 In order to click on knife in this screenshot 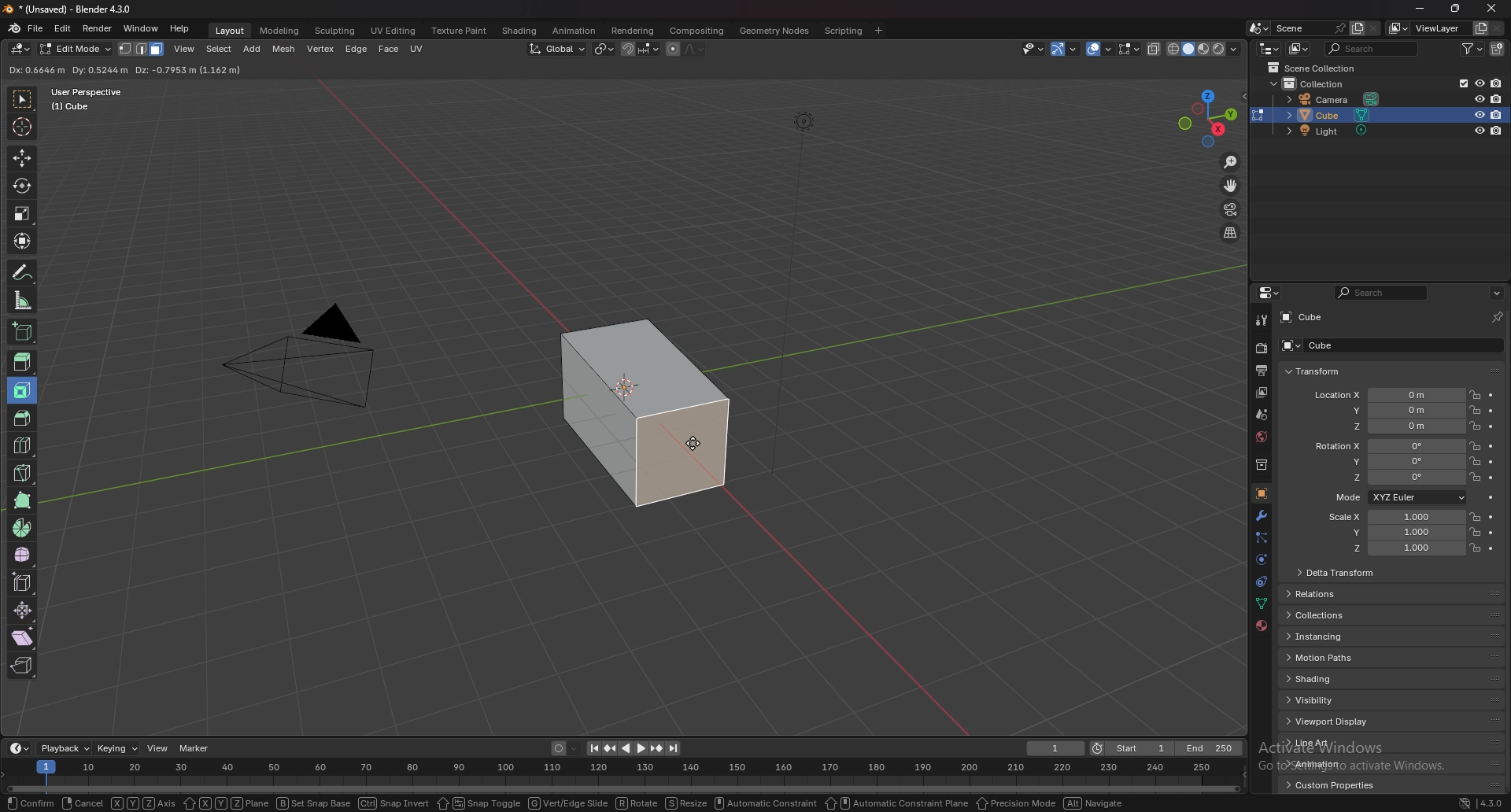, I will do `click(24, 472)`.